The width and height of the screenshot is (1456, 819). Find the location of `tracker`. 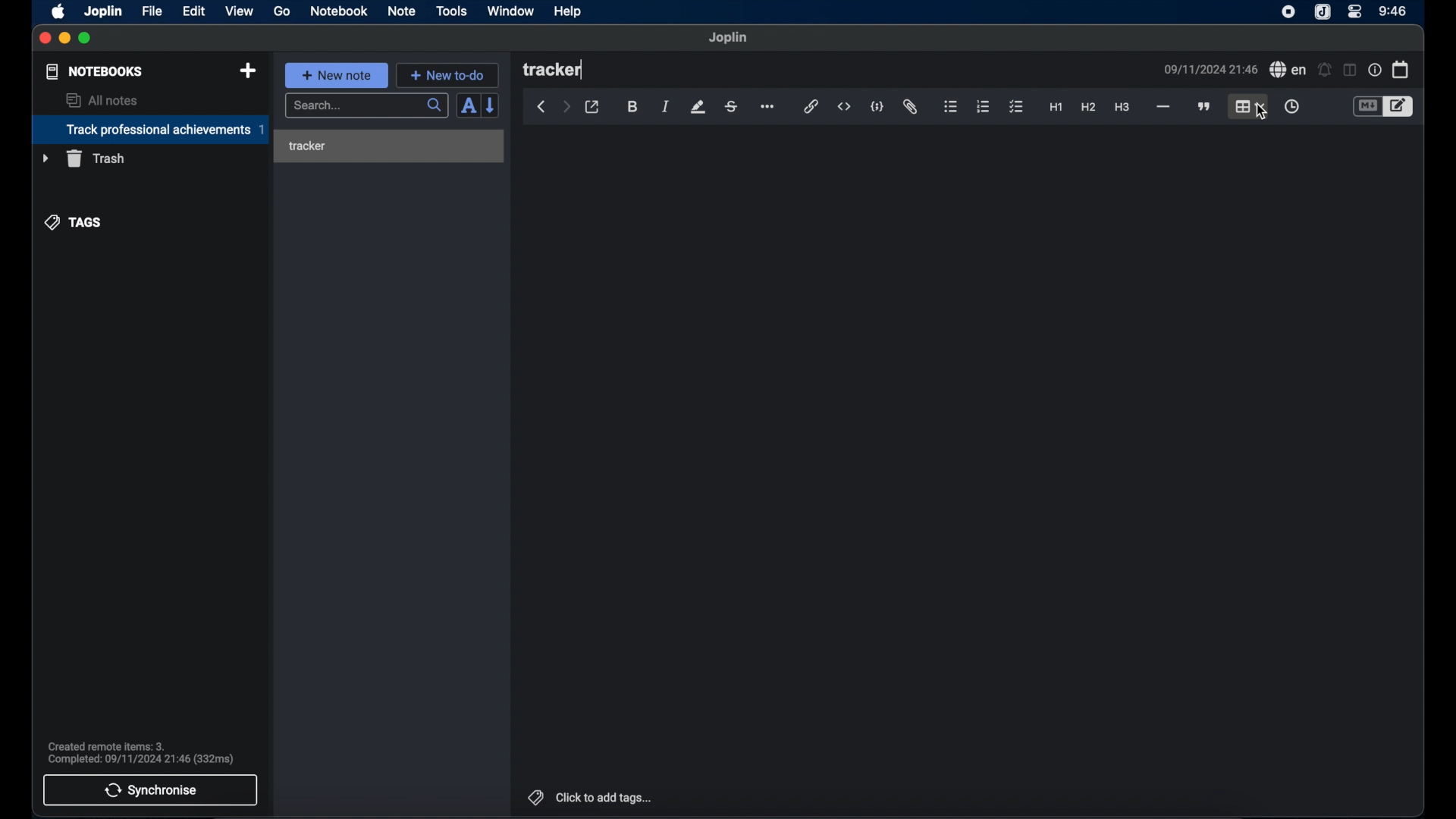

tracker is located at coordinates (307, 146).